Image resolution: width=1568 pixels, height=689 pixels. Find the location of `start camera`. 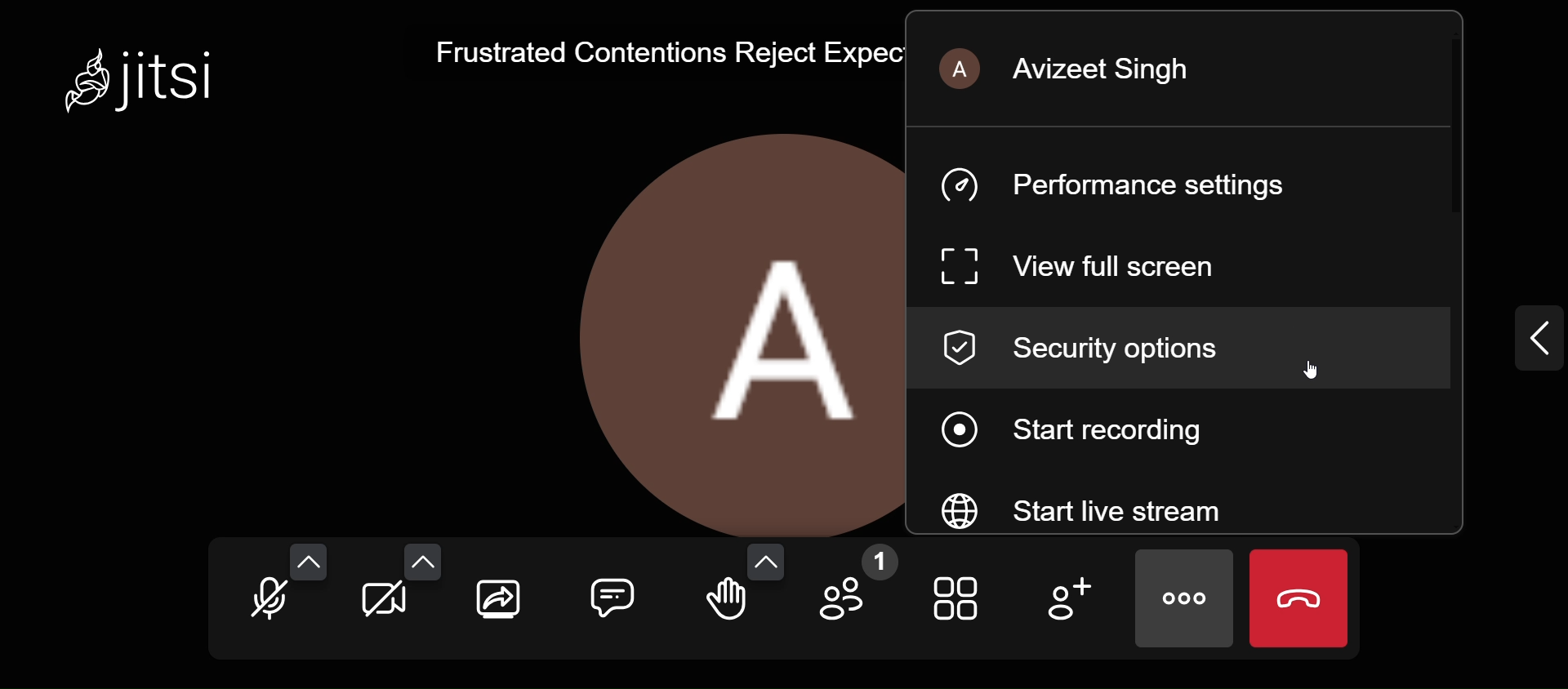

start camera is located at coordinates (381, 606).